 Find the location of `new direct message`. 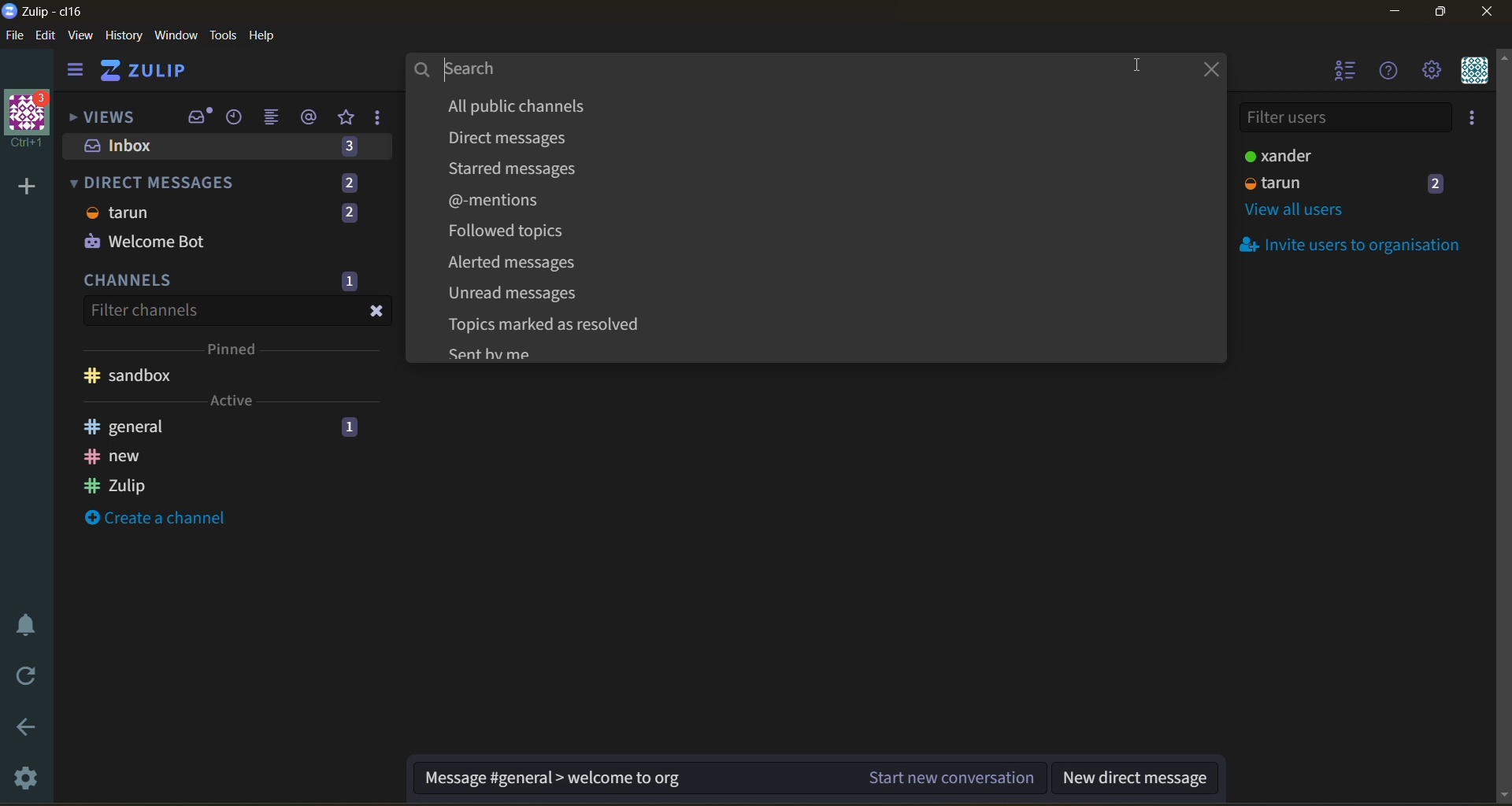

new direct message is located at coordinates (1134, 779).